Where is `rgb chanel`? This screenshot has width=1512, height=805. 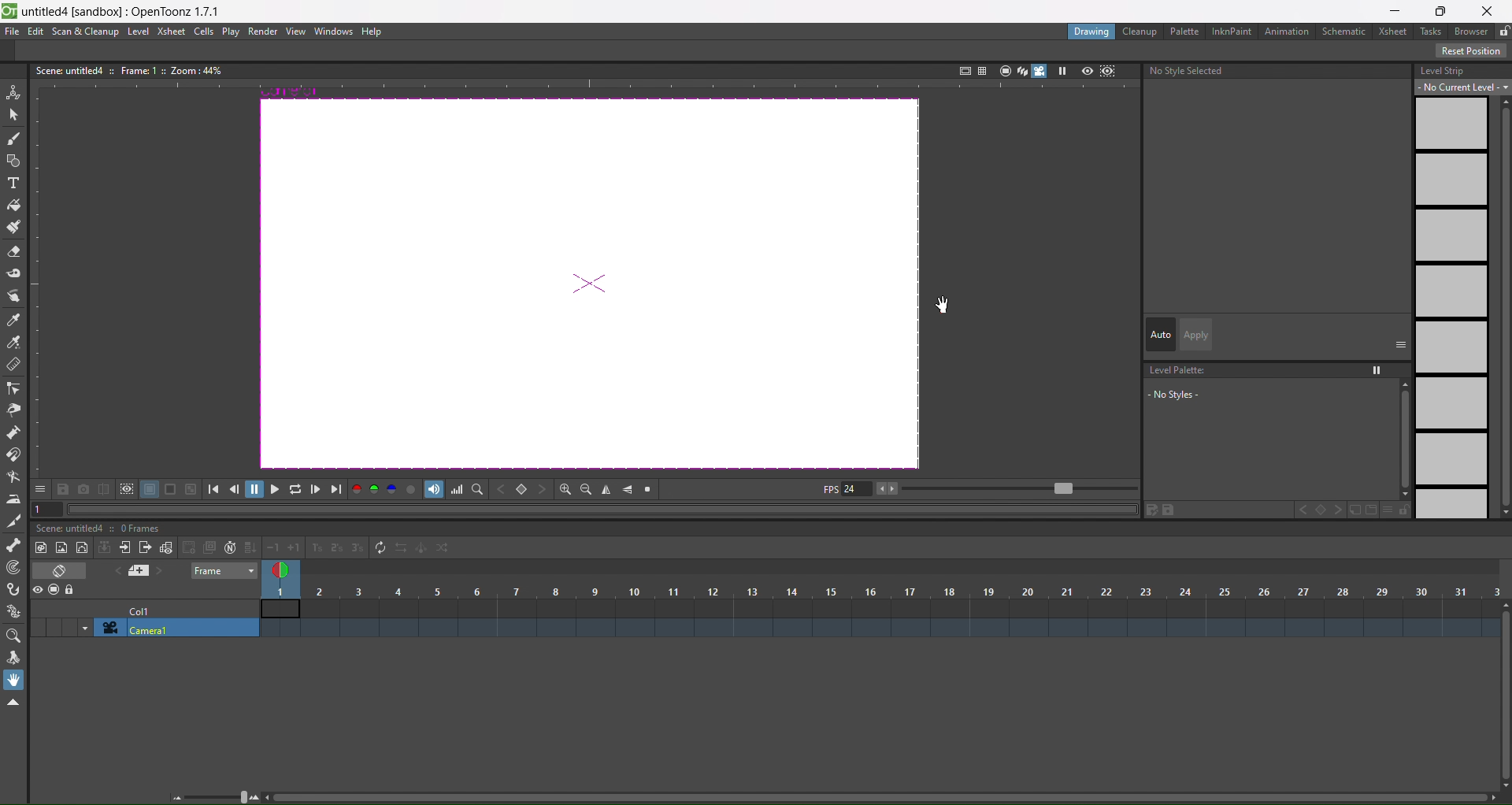 rgb chanel is located at coordinates (376, 490).